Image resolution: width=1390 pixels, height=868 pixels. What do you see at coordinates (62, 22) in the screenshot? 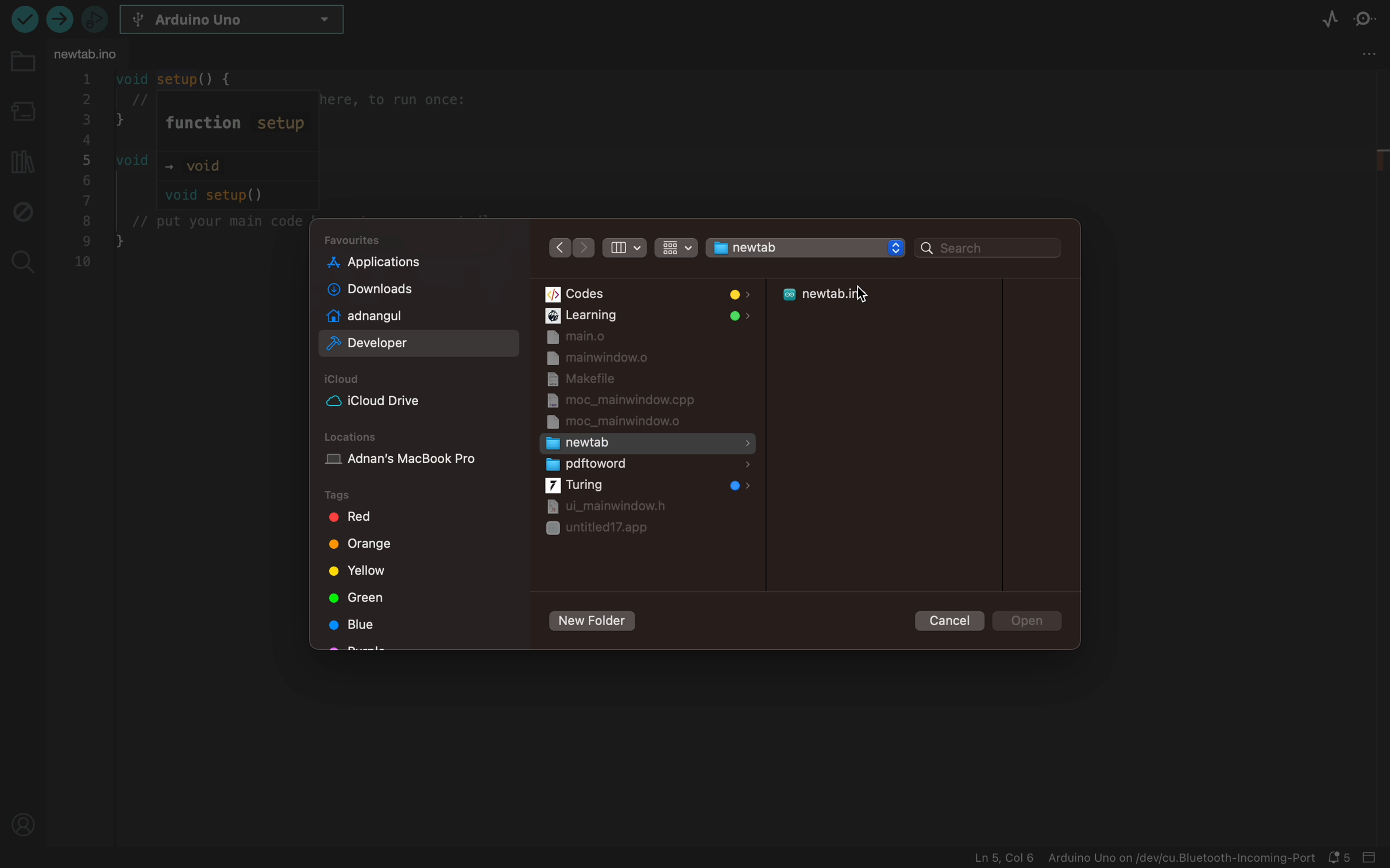
I see `verify` at bounding box center [62, 22].